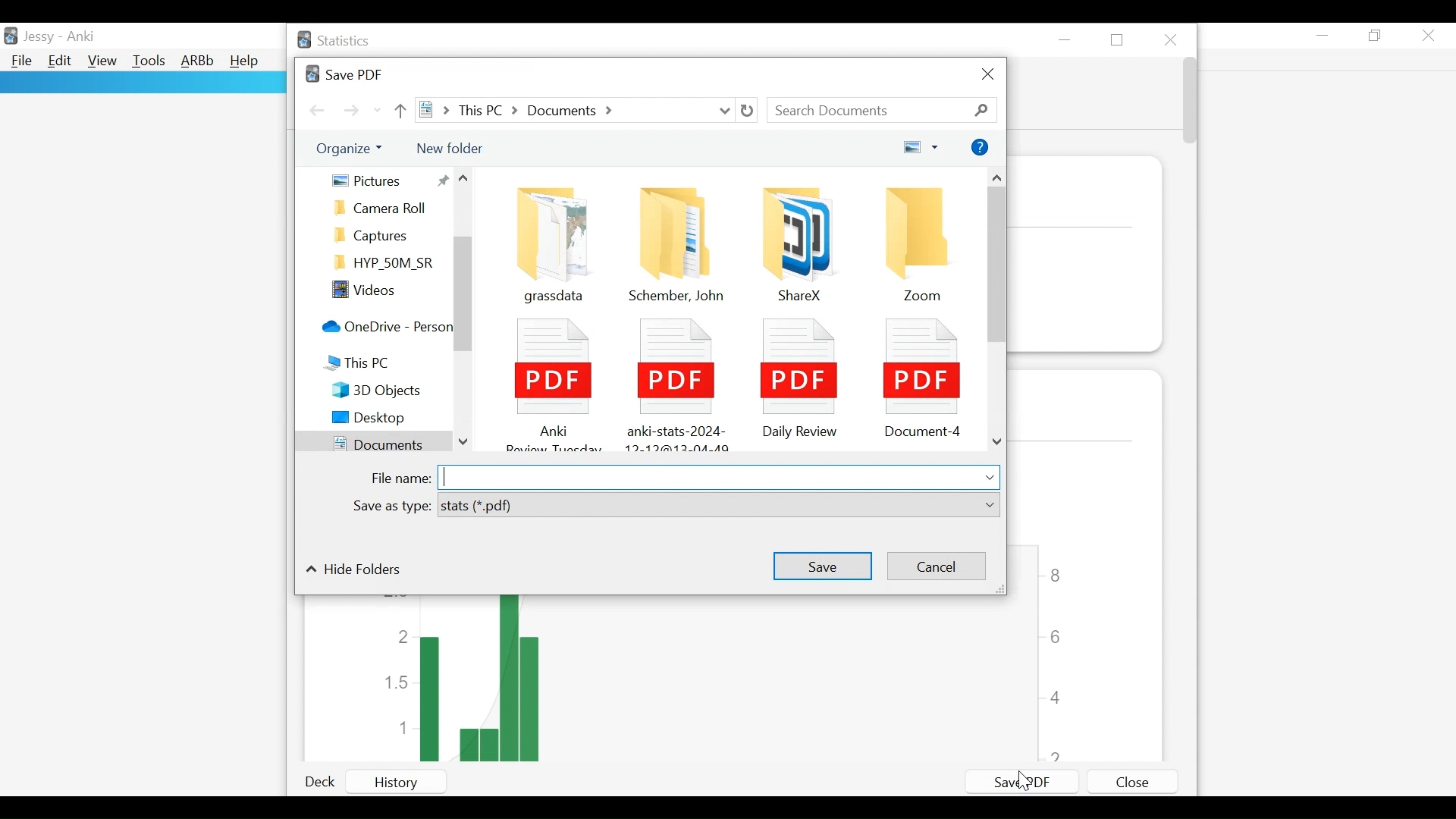 The width and height of the screenshot is (1456, 819). I want to click on User Nmae, so click(39, 39).